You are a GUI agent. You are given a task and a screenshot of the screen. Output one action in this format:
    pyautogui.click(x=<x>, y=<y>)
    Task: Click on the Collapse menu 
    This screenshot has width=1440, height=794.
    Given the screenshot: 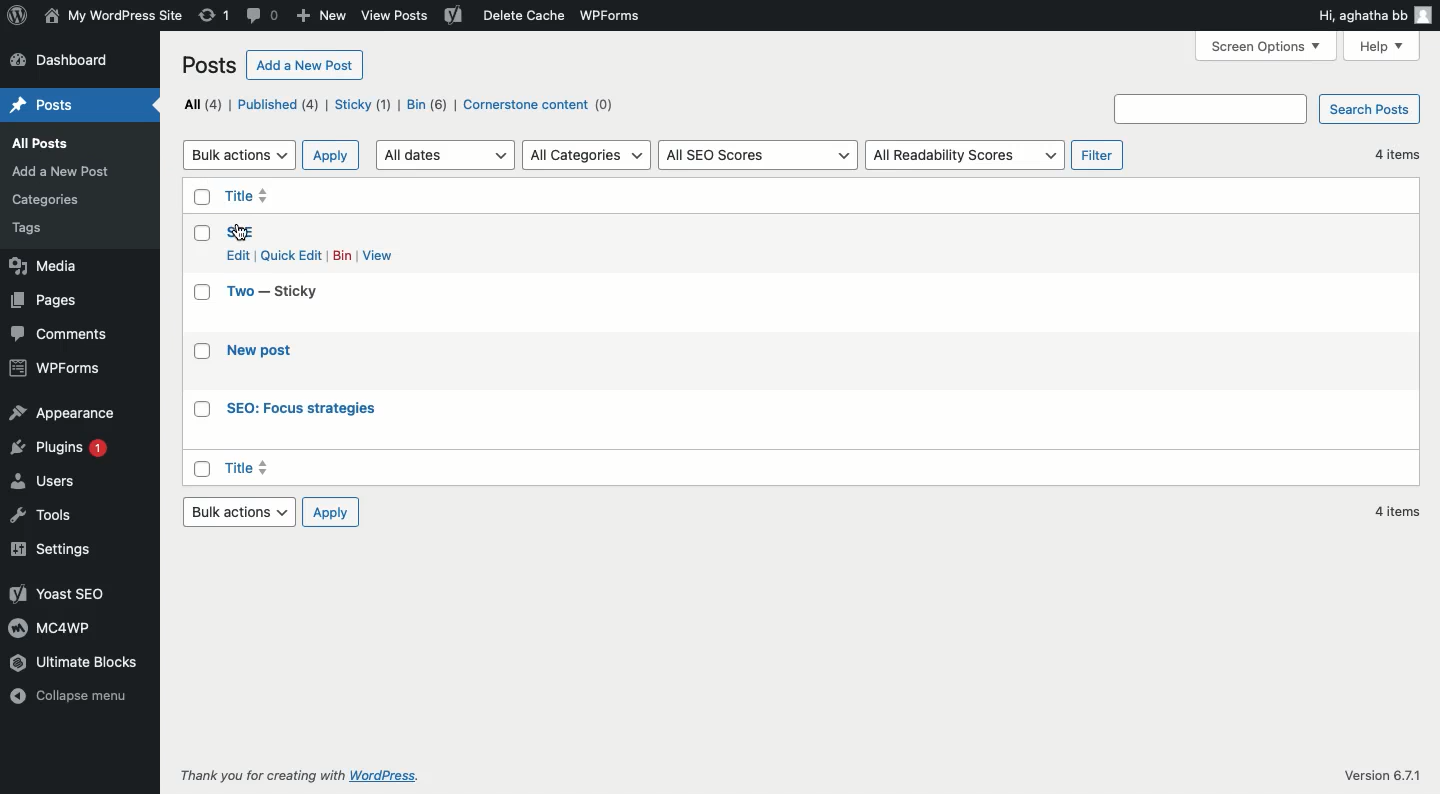 What is the action you would take?
    pyautogui.click(x=81, y=693)
    